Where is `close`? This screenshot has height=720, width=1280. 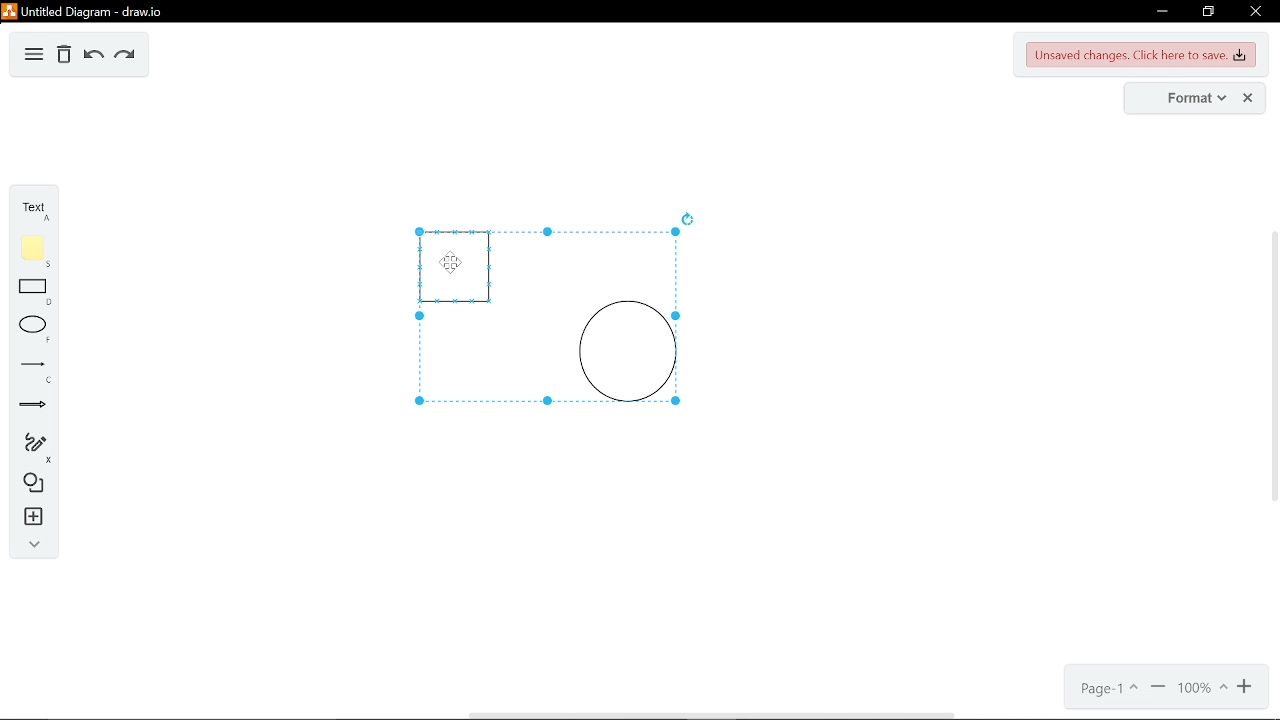
close is located at coordinates (1254, 11).